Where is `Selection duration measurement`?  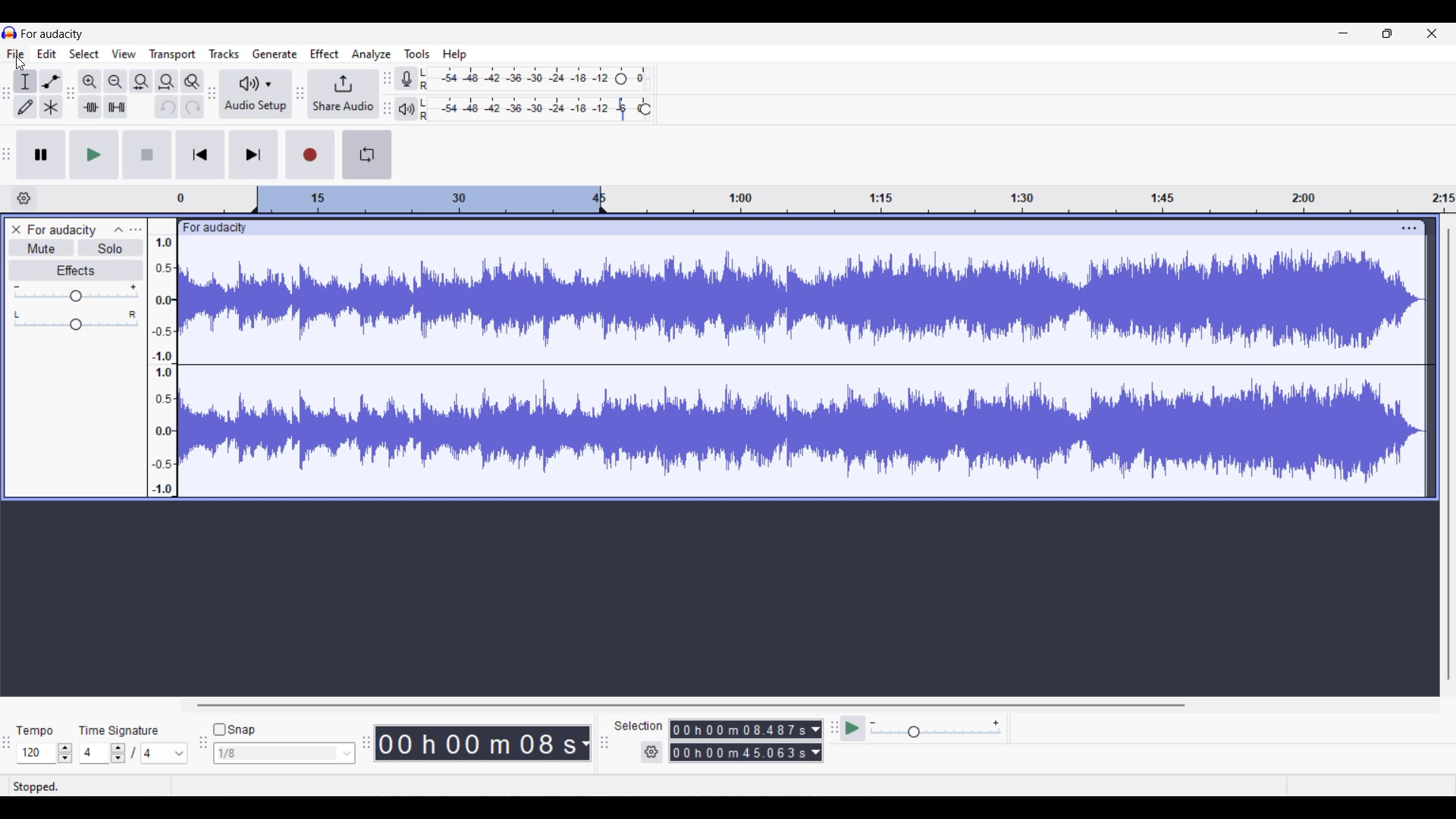 Selection duration measurement is located at coordinates (739, 752).